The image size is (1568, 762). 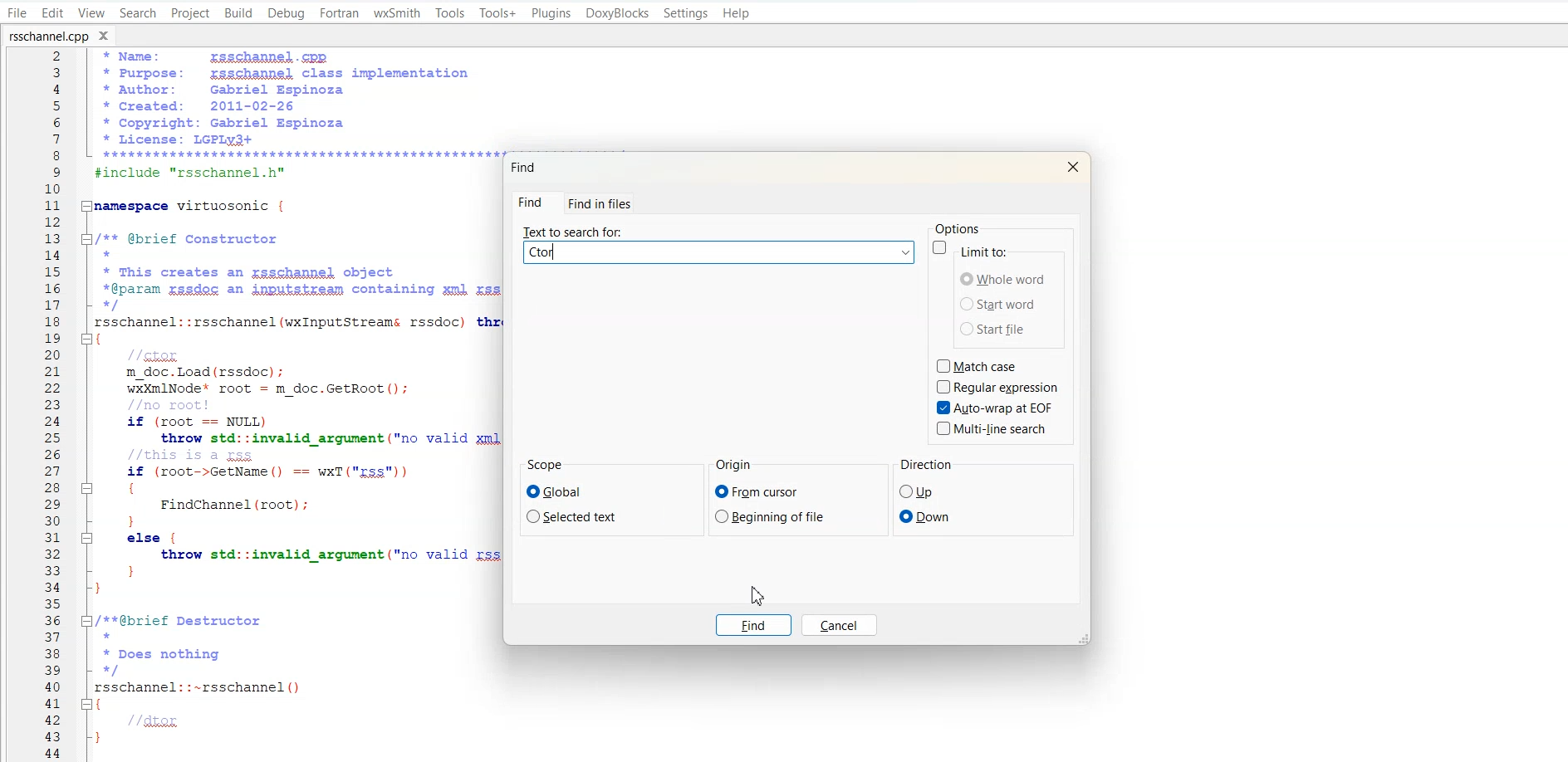 What do you see at coordinates (956, 228) in the screenshot?
I see `Options` at bounding box center [956, 228].